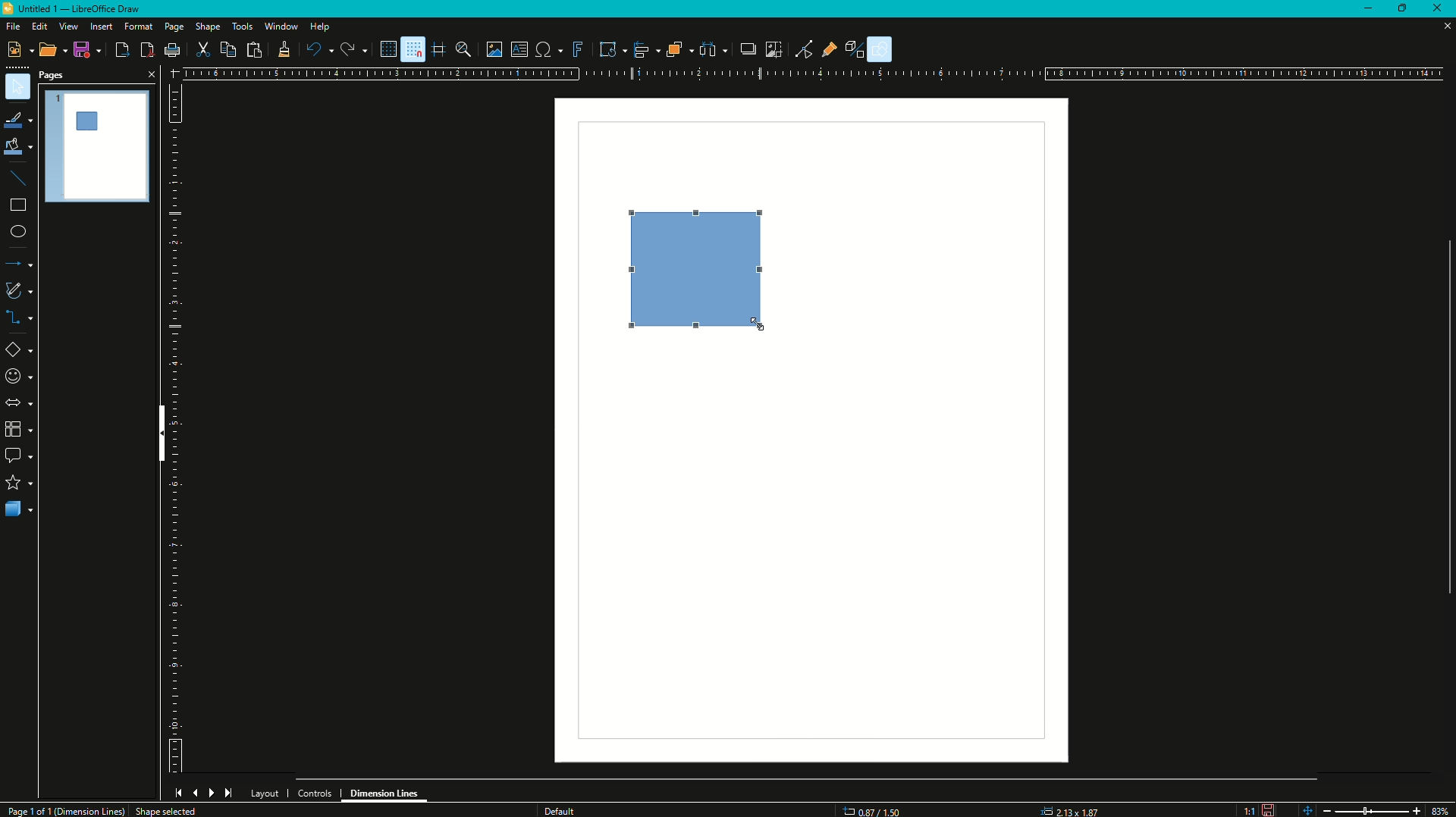 The image size is (1456, 817). Describe the element at coordinates (20, 265) in the screenshot. I see `Lines and Arrows` at that location.